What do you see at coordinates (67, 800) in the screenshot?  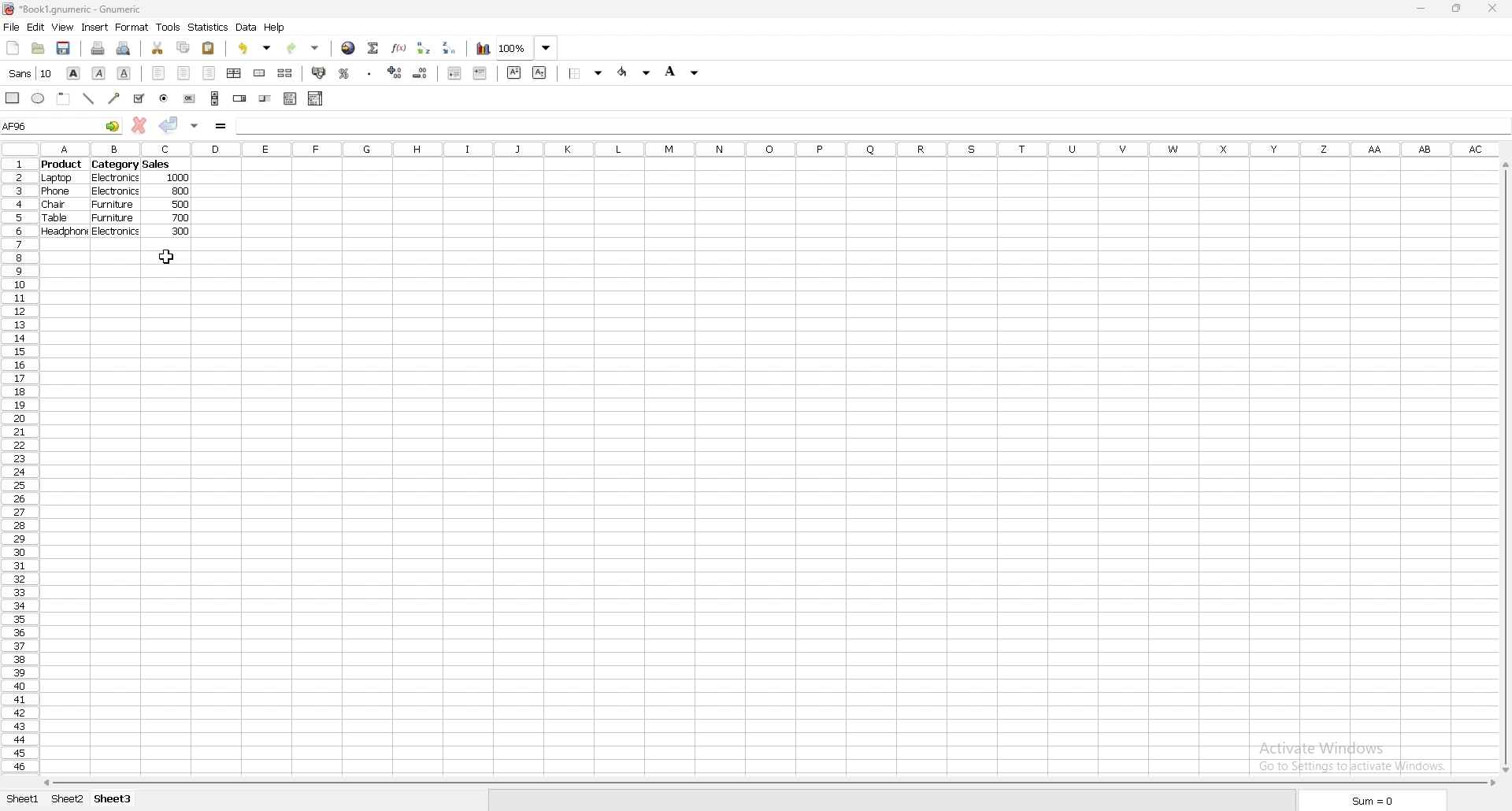 I see `sheet 2` at bounding box center [67, 800].